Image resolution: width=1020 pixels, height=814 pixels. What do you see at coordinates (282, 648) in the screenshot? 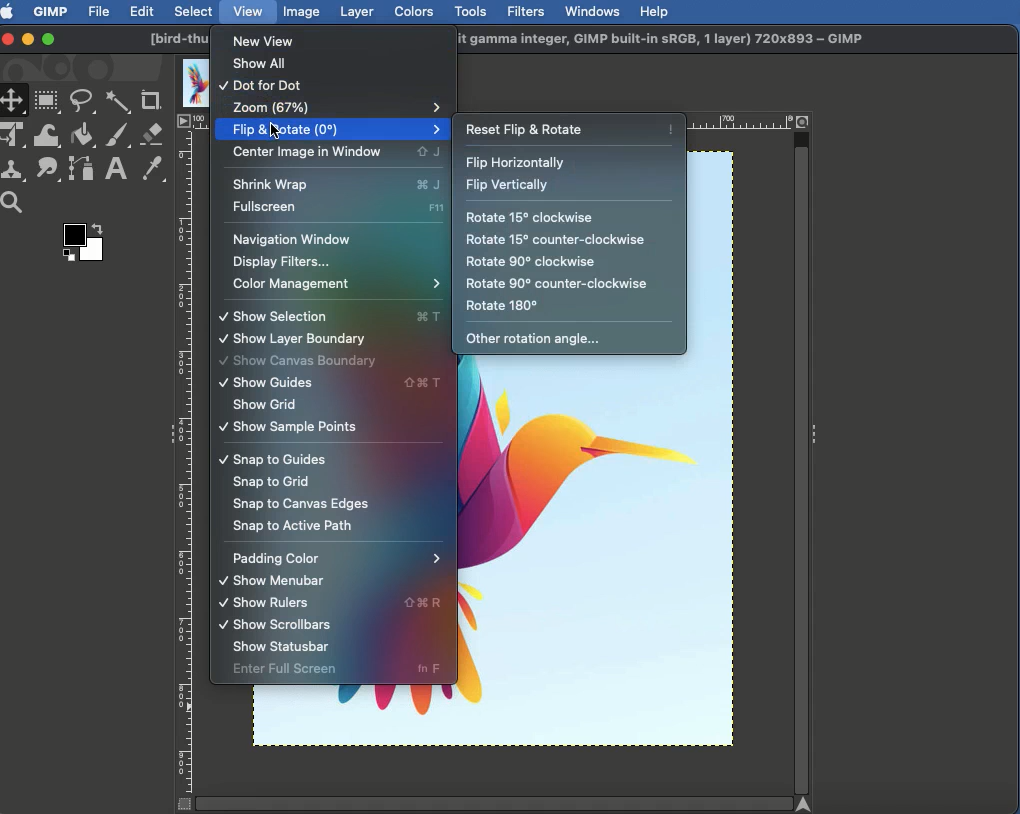
I see `Show status bar` at bounding box center [282, 648].